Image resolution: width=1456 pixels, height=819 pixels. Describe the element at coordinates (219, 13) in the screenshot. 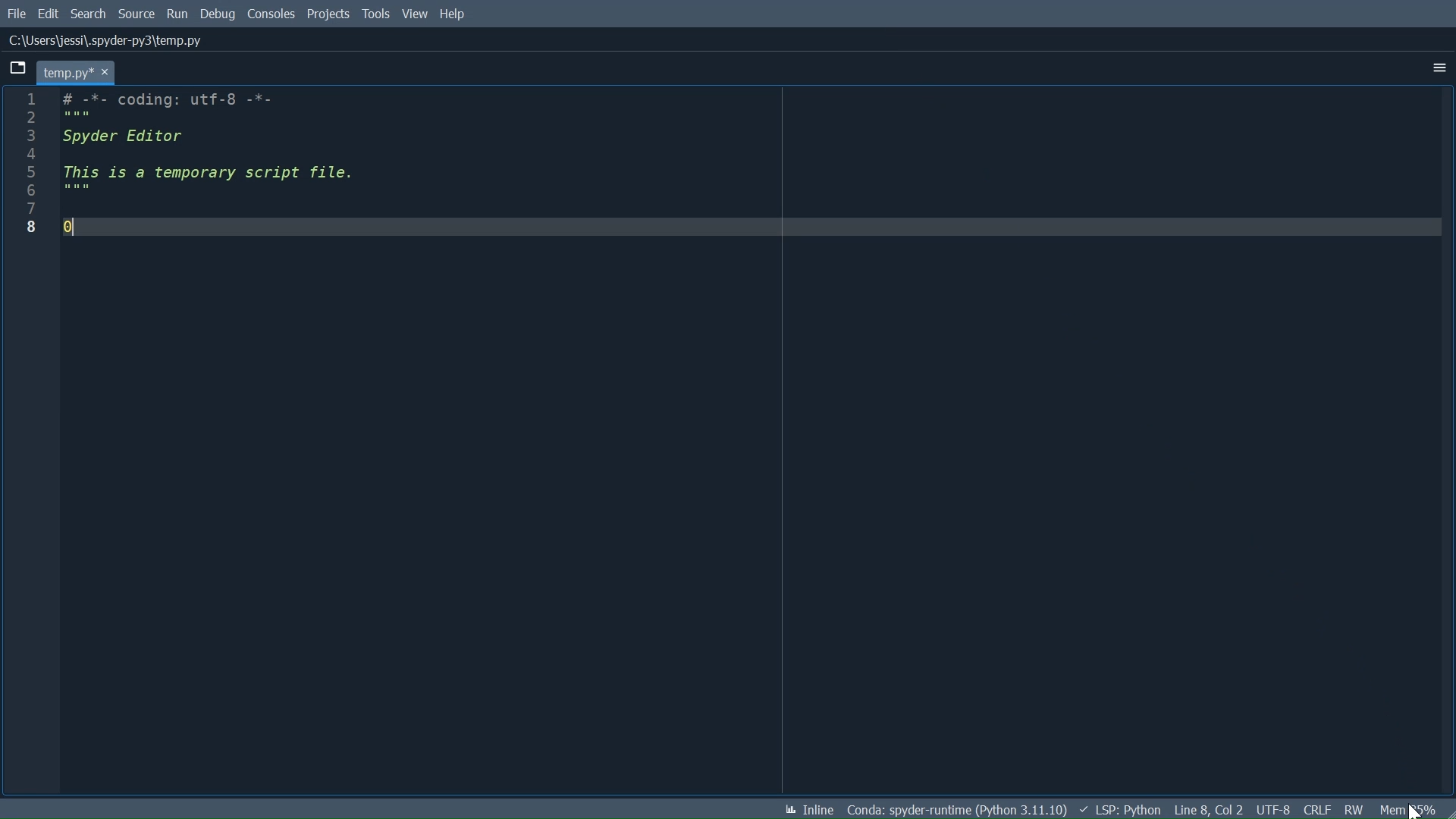

I see `Debug` at that location.